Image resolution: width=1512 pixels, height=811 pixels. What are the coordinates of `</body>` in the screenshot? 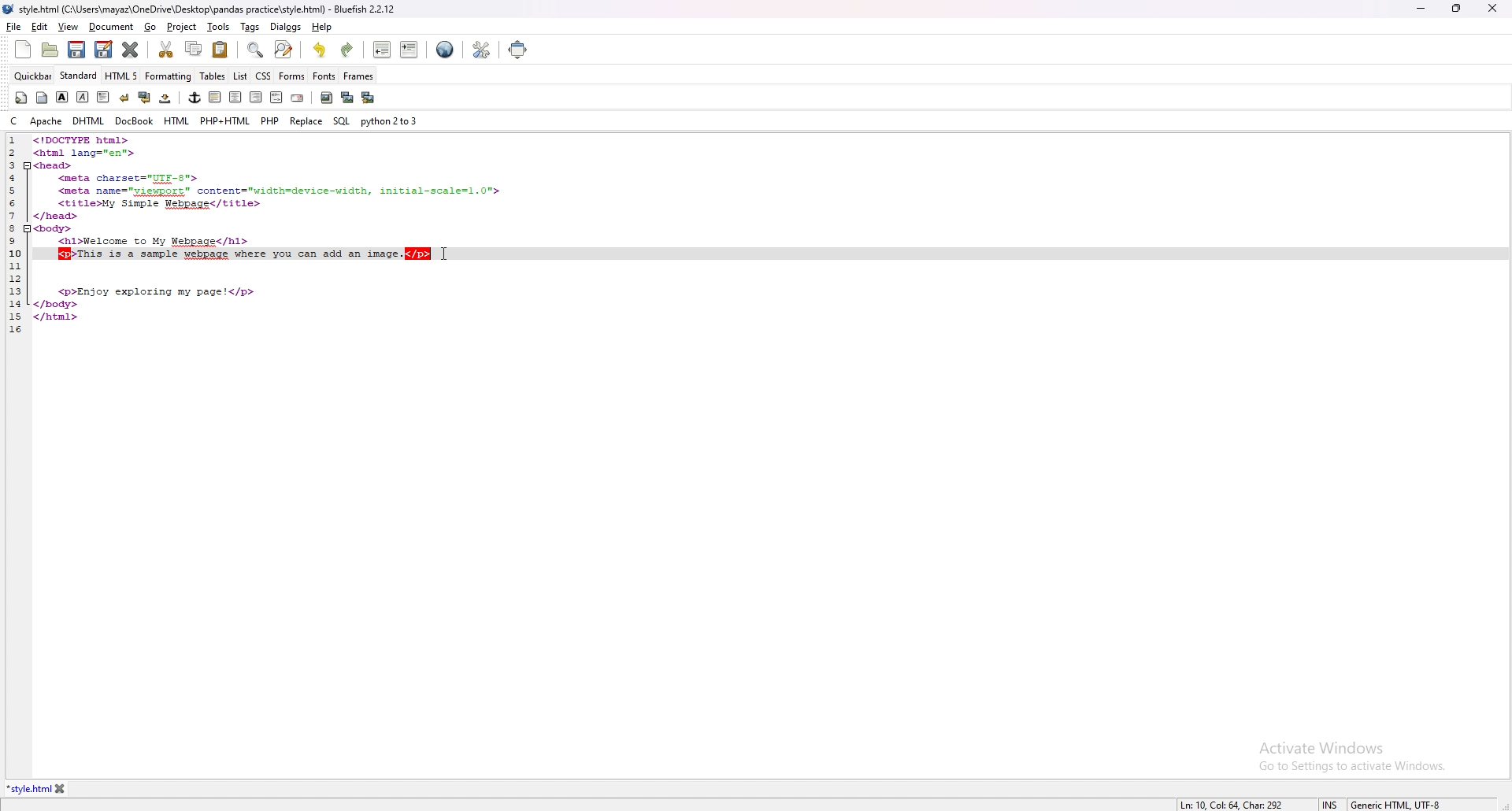 It's located at (58, 304).